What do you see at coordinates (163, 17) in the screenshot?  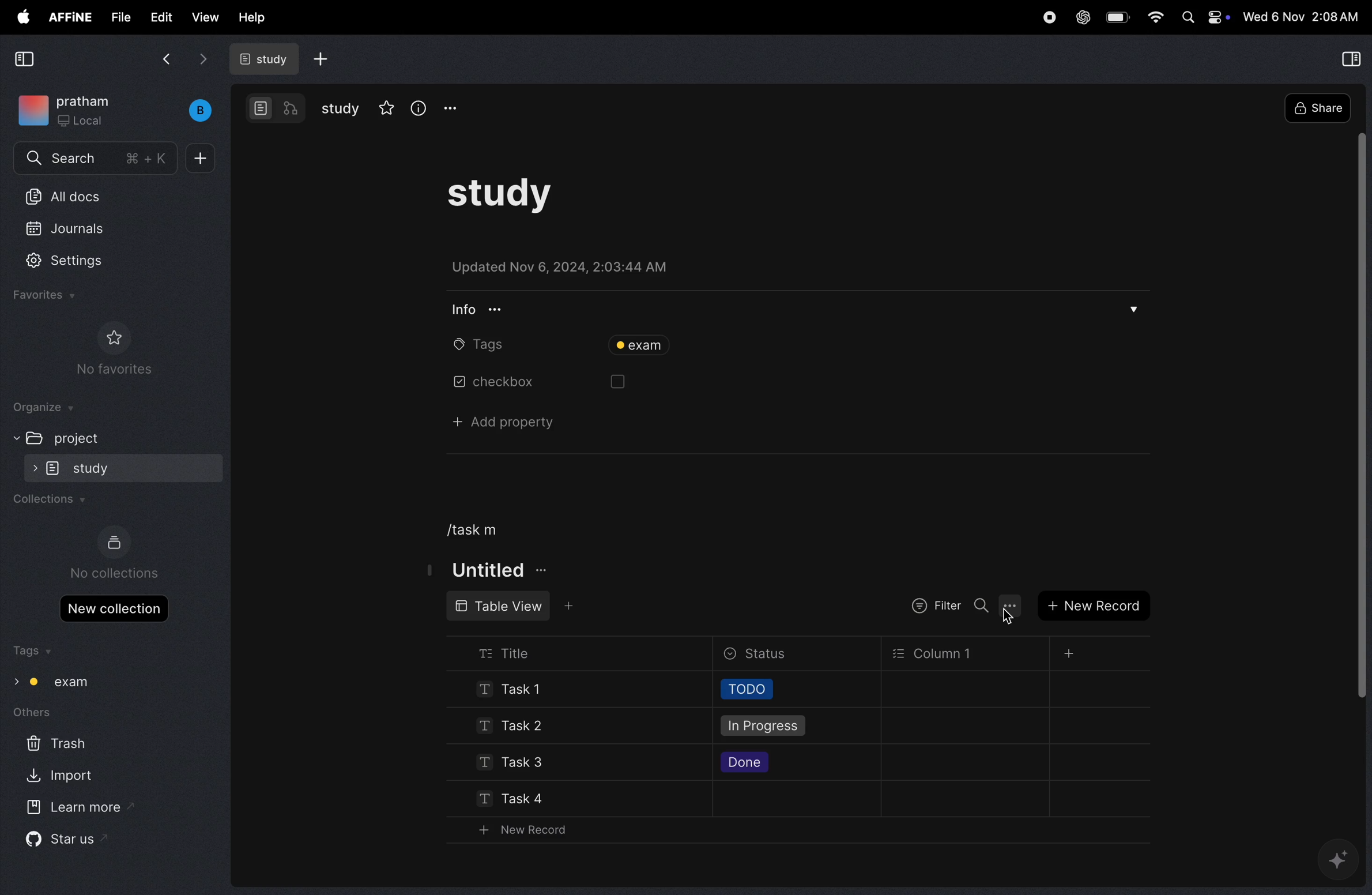 I see `edit` at bounding box center [163, 17].